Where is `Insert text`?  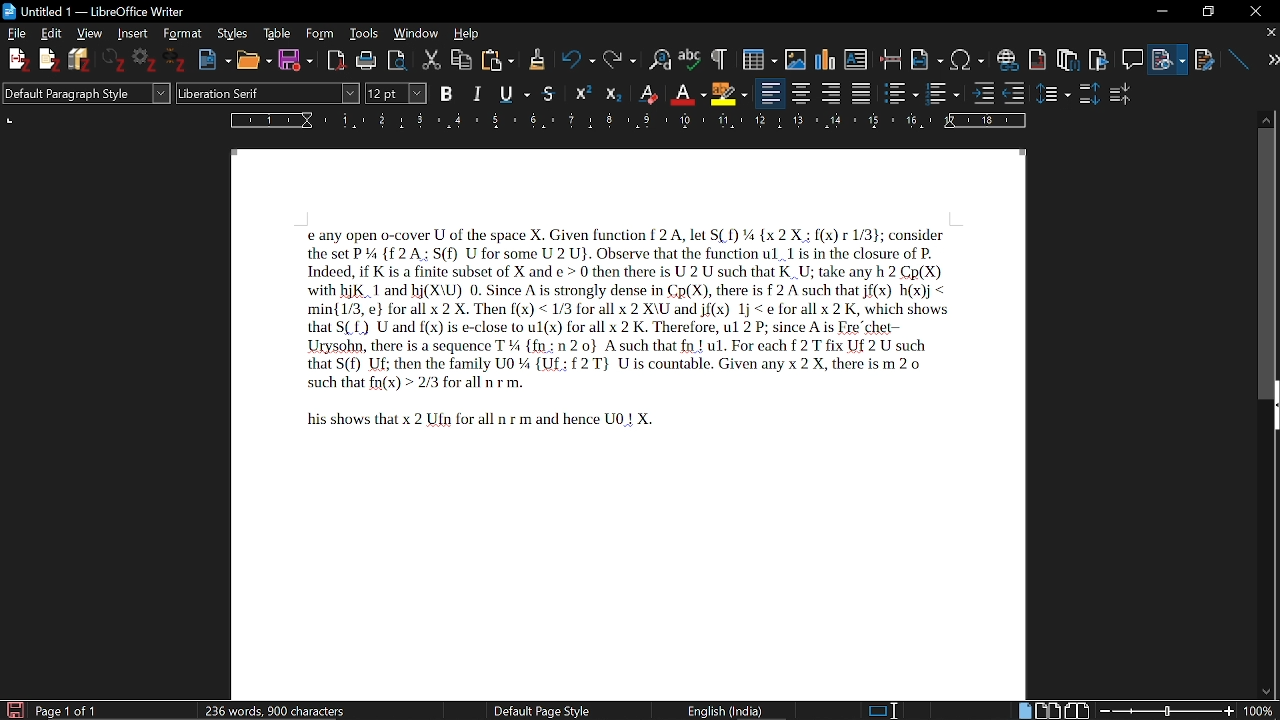 Insert text is located at coordinates (858, 55).